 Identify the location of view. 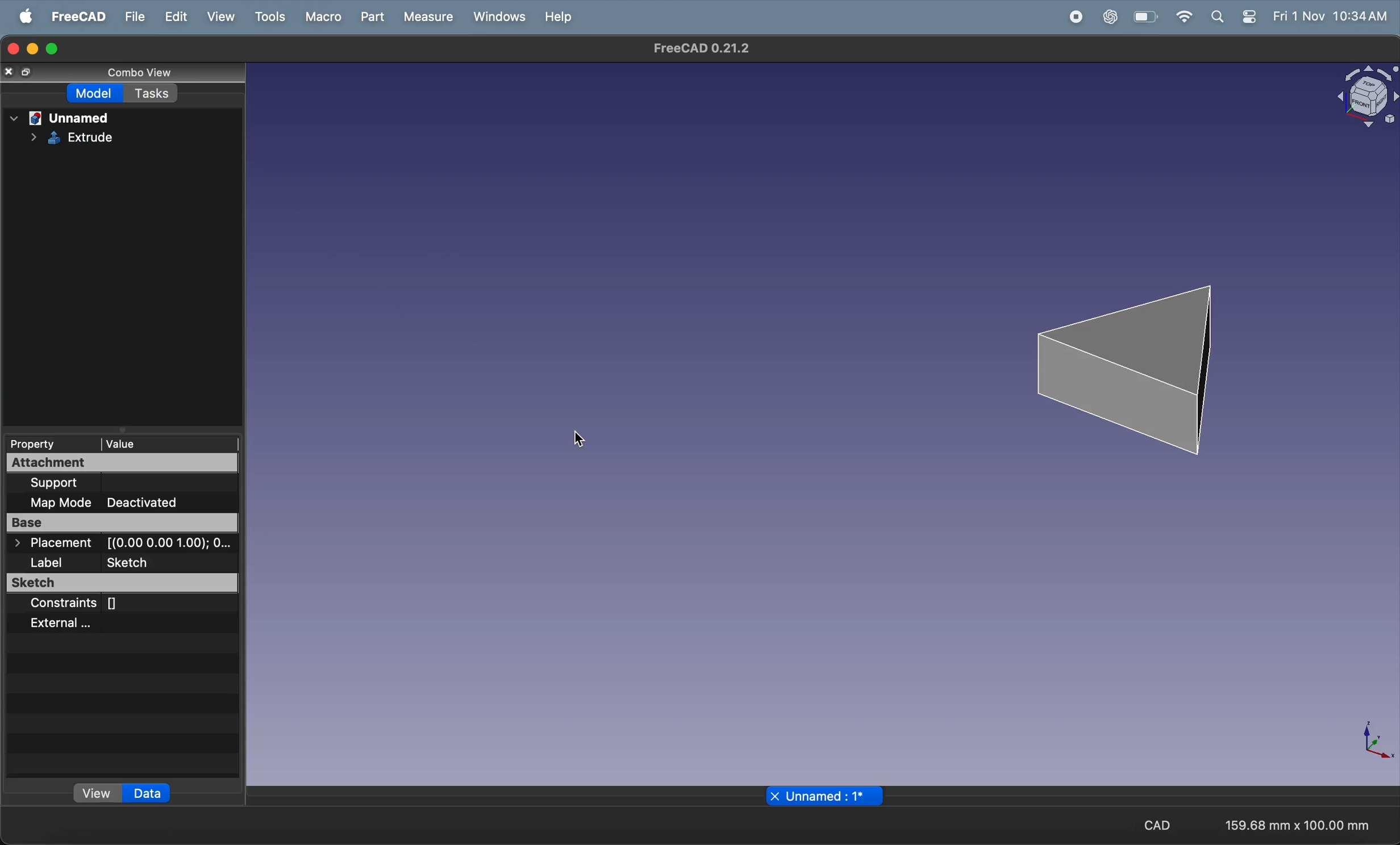
(223, 16).